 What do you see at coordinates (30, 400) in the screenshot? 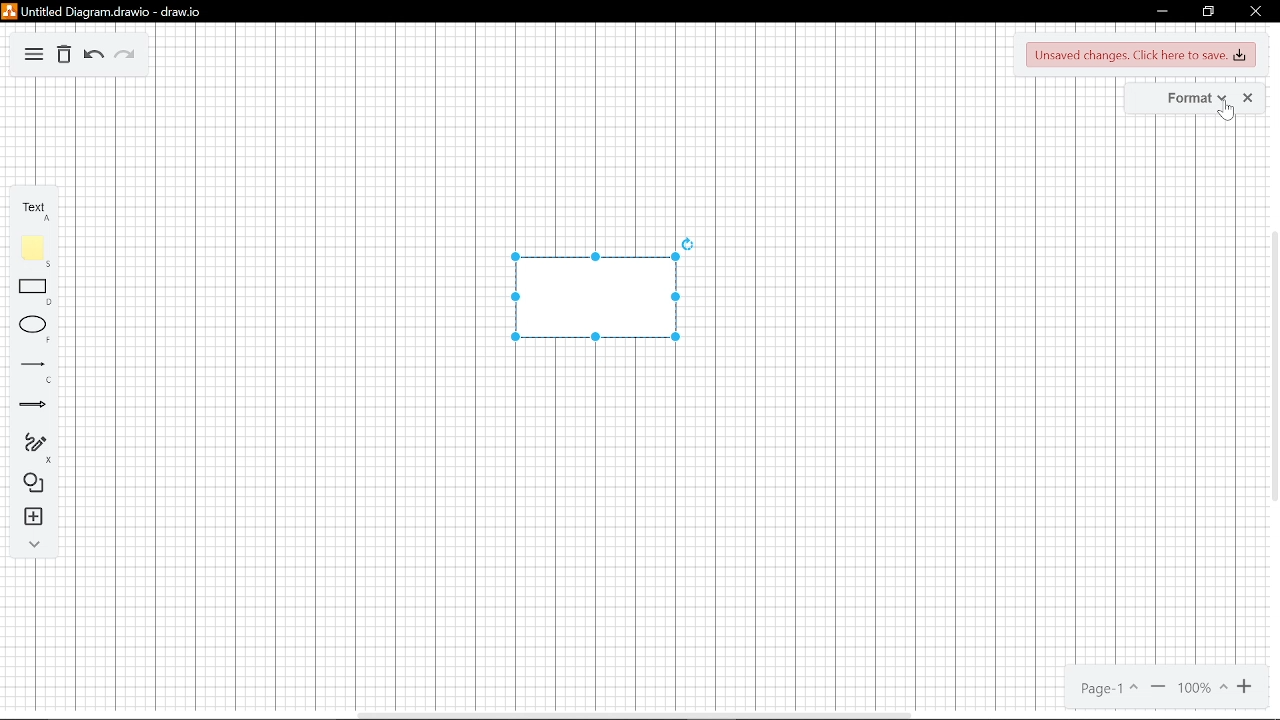
I see `arrow` at bounding box center [30, 400].